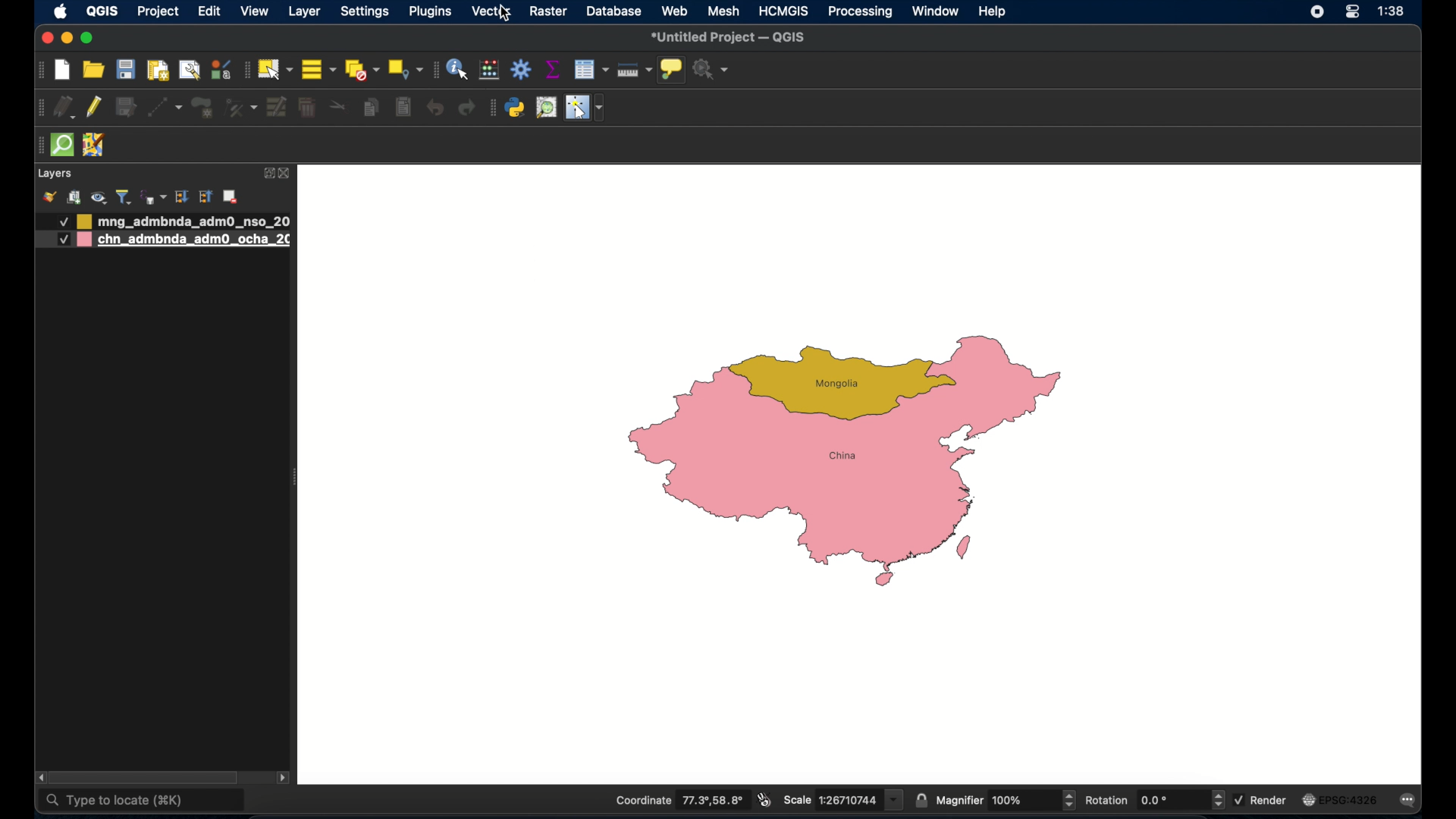 This screenshot has width=1456, height=819. What do you see at coordinates (429, 12) in the screenshot?
I see `plugins` at bounding box center [429, 12].